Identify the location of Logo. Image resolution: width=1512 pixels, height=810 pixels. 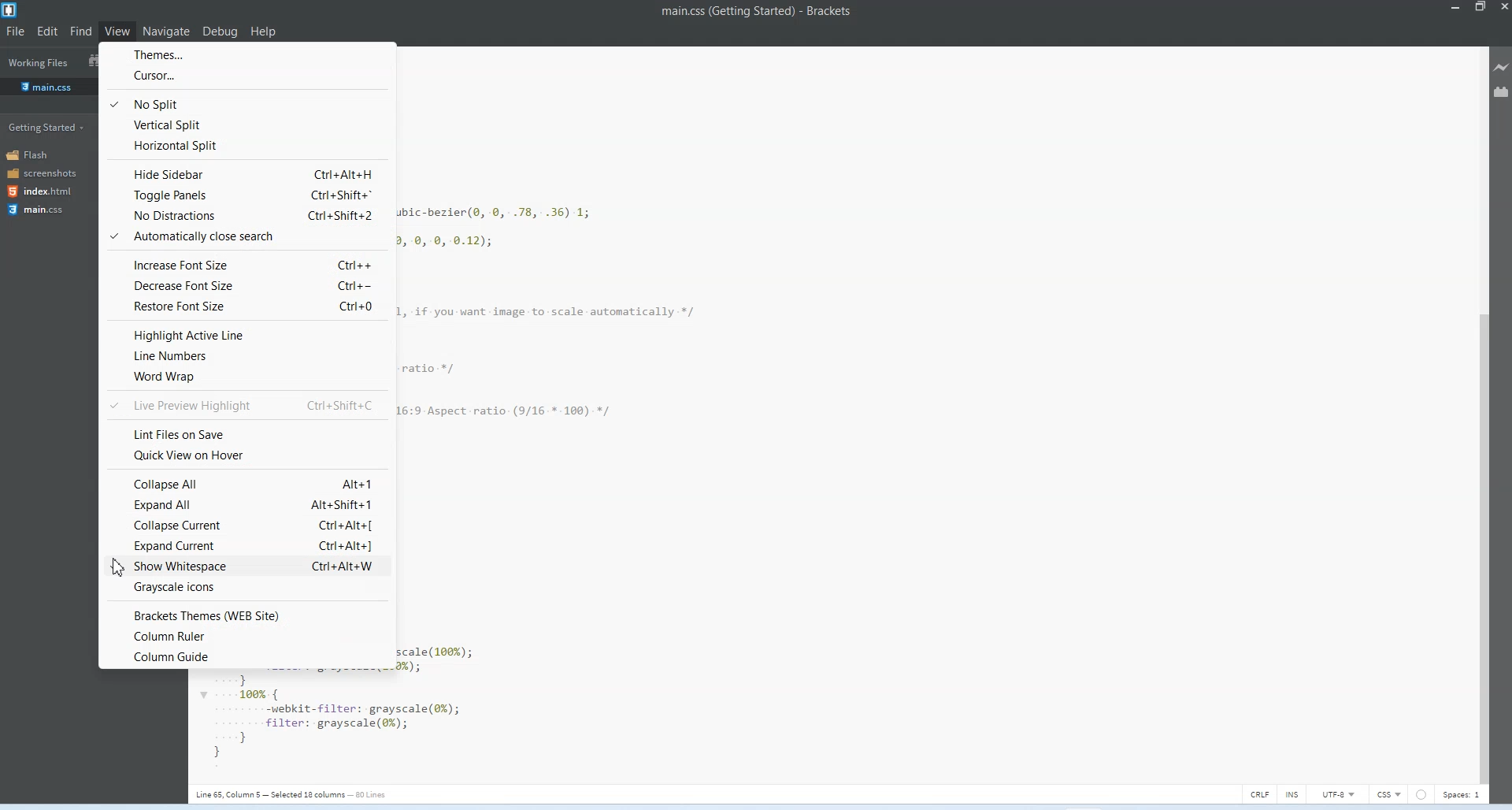
(13, 9).